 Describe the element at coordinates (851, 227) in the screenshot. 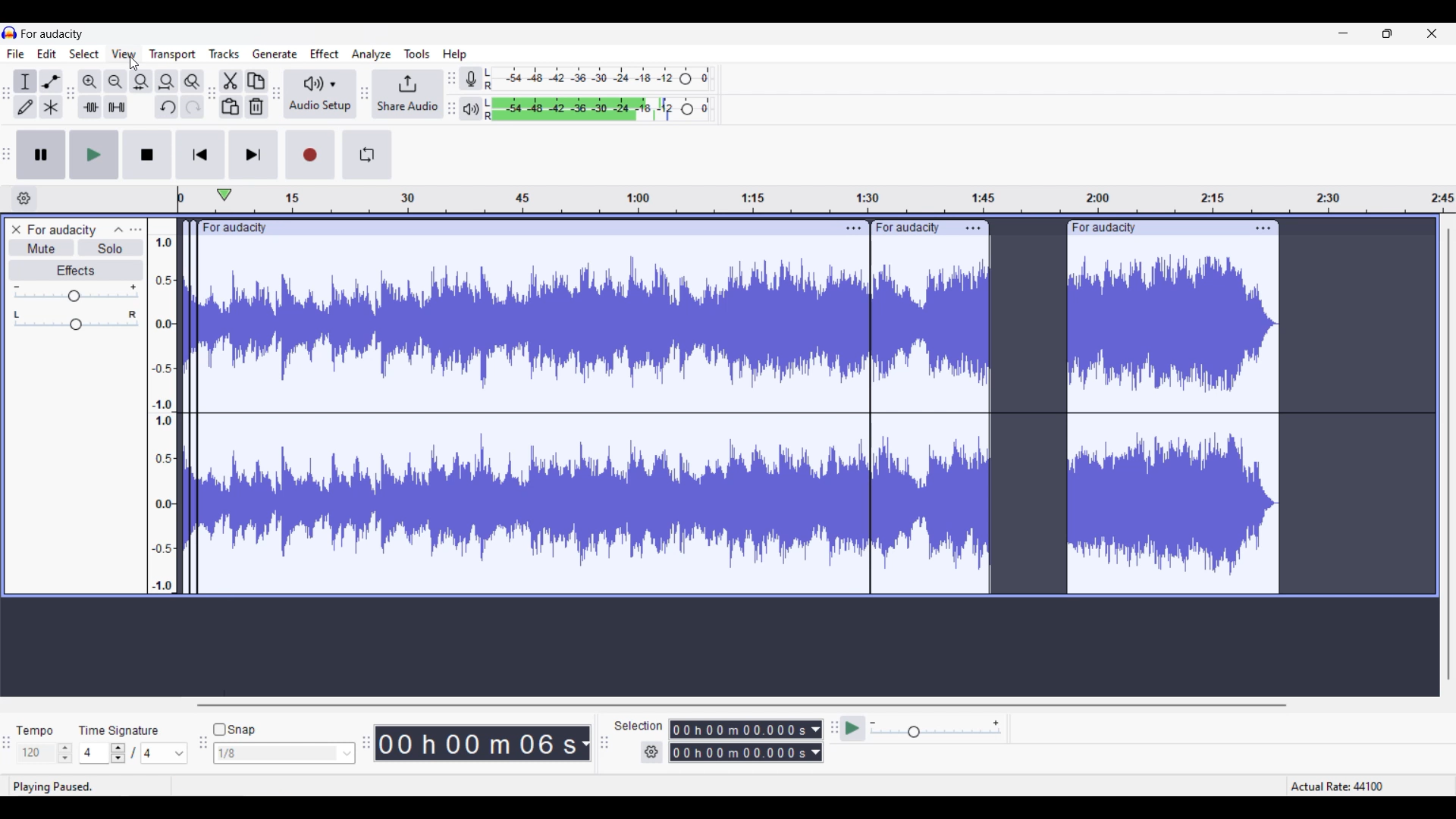

I see `track options` at that location.